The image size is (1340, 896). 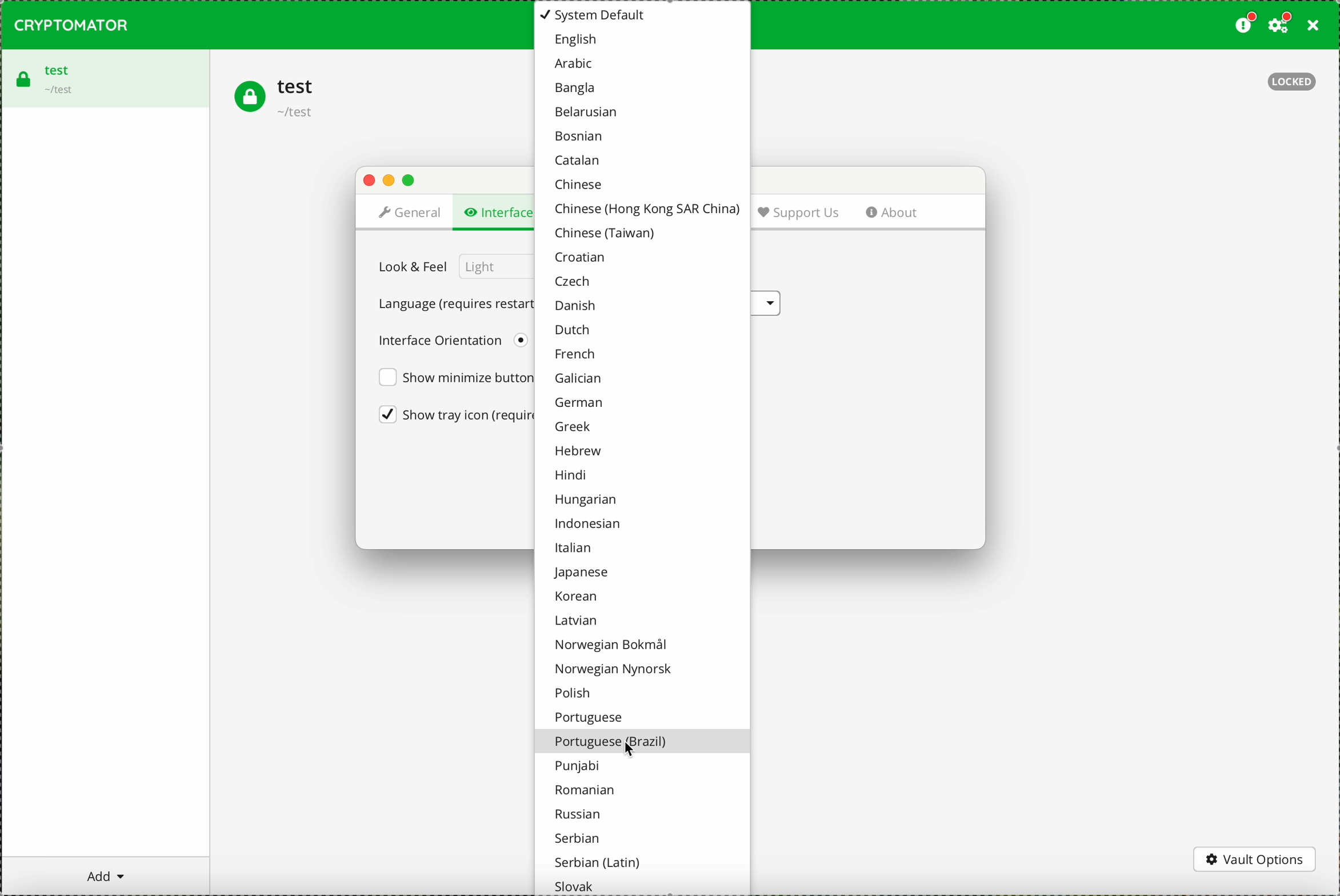 What do you see at coordinates (574, 64) in the screenshot?
I see `arabic` at bounding box center [574, 64].